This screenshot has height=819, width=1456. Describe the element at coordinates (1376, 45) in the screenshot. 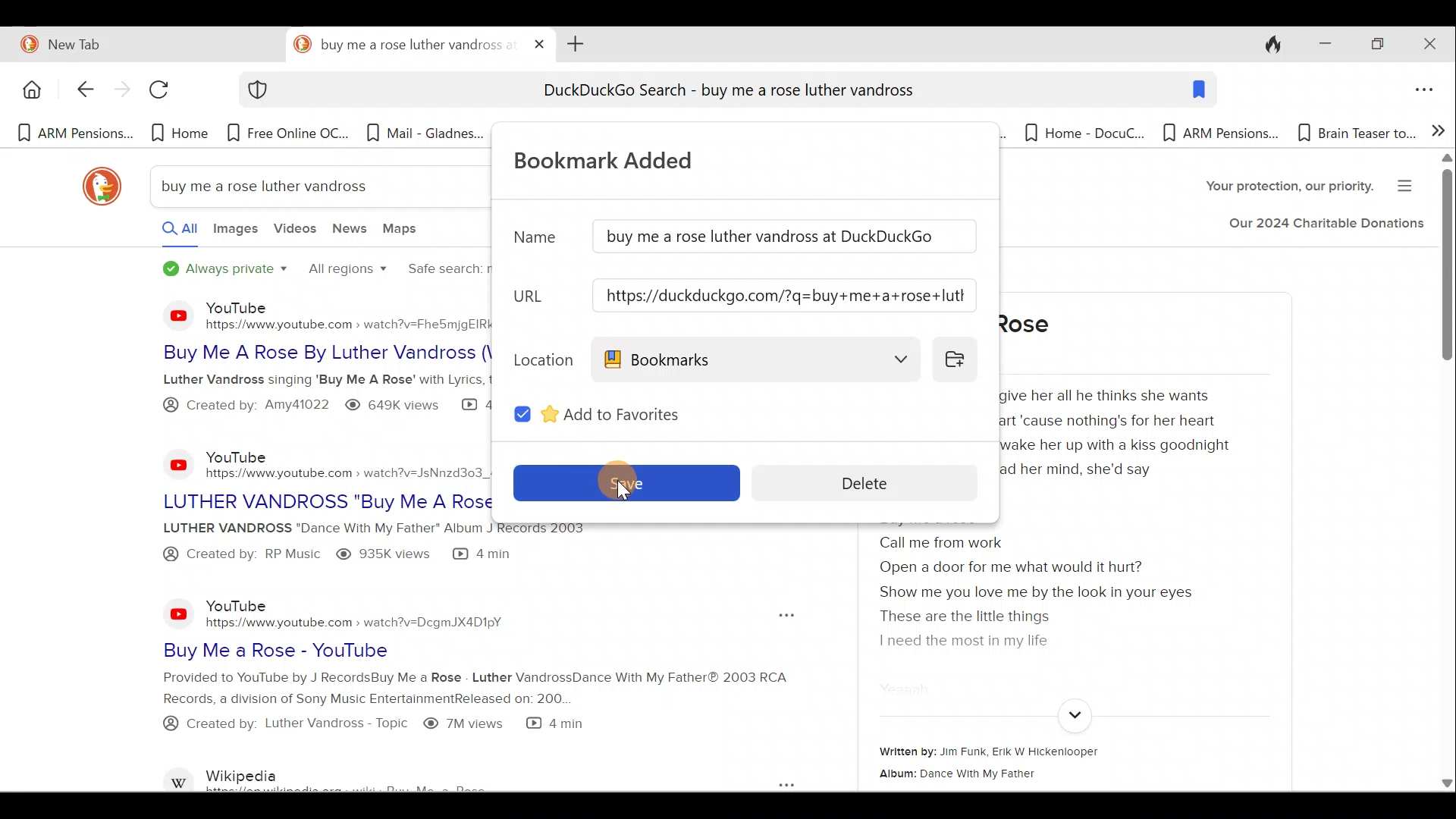

I see `Restore down` at that location.